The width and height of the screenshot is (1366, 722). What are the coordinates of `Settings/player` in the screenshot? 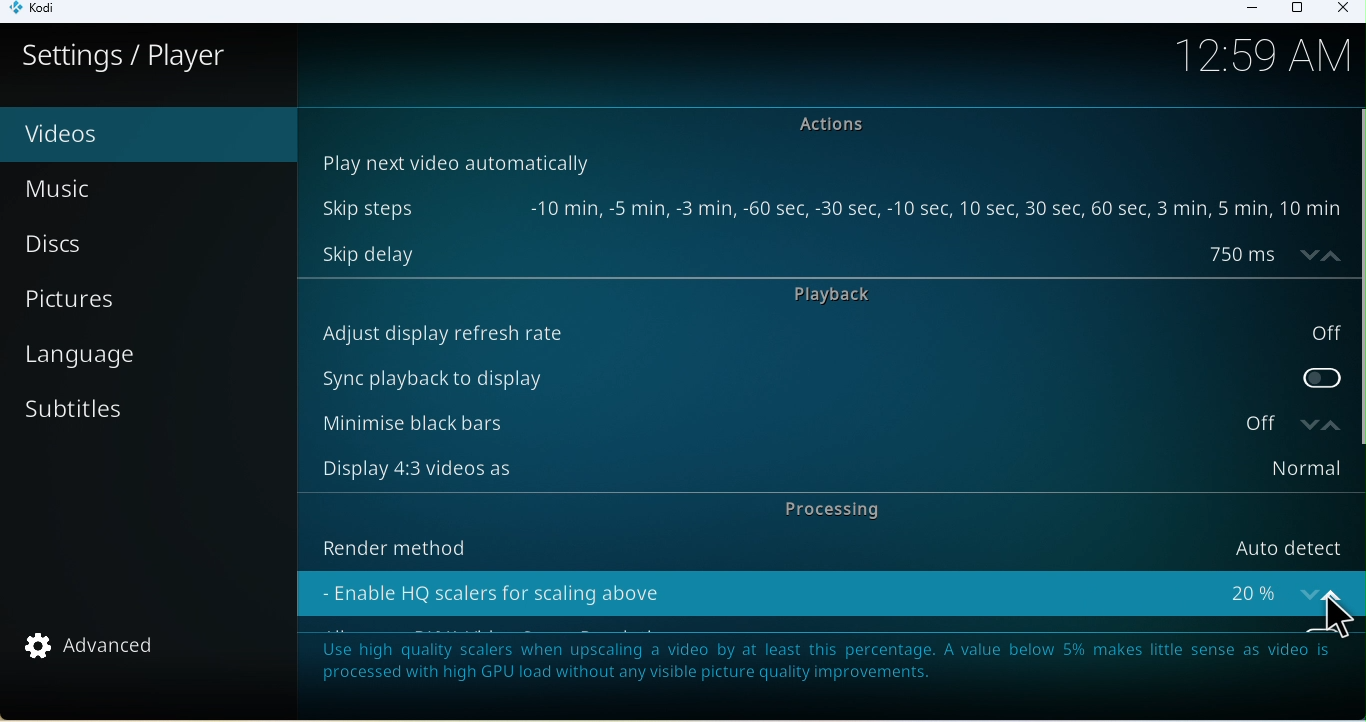 It's located at (125, 56).